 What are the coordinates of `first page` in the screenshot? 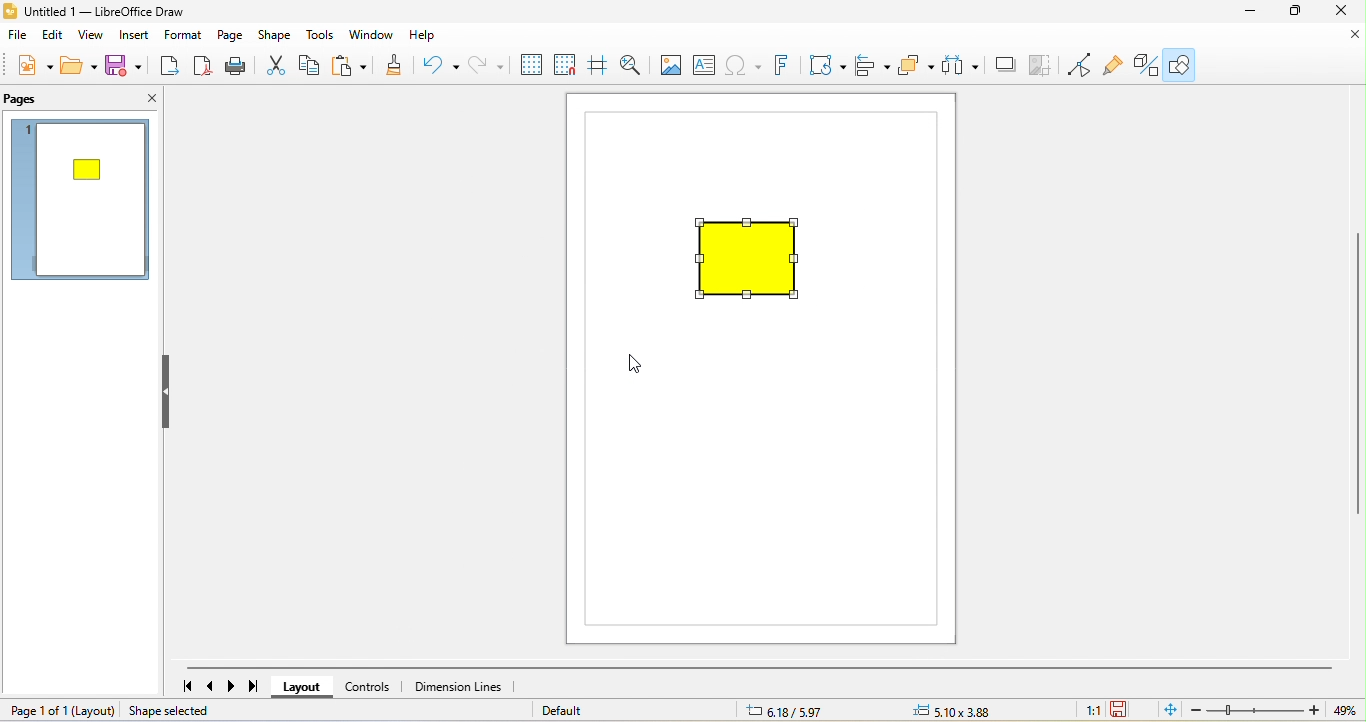 It's located at (184, 687).